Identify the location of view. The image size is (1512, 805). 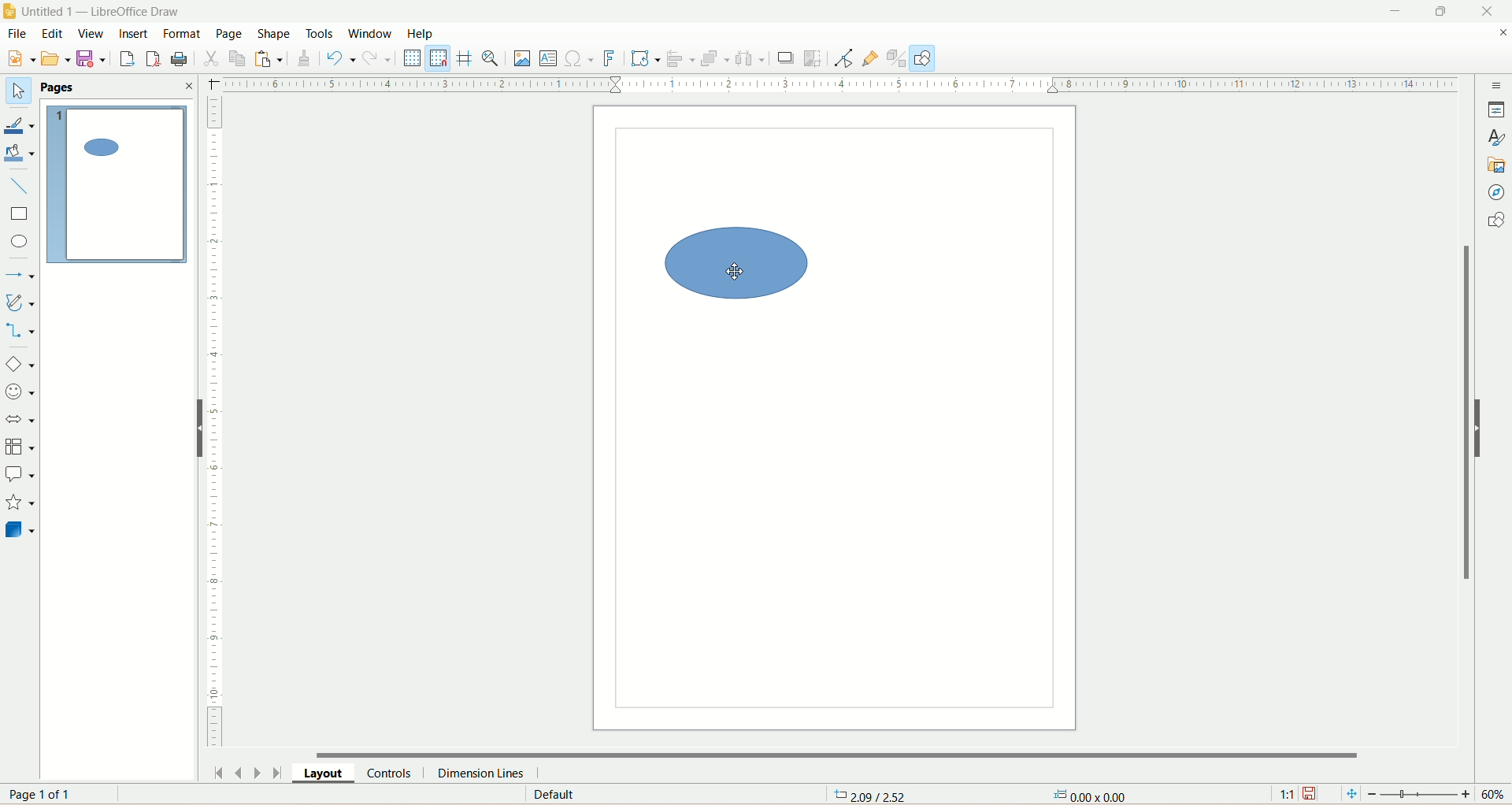
(88, 32).